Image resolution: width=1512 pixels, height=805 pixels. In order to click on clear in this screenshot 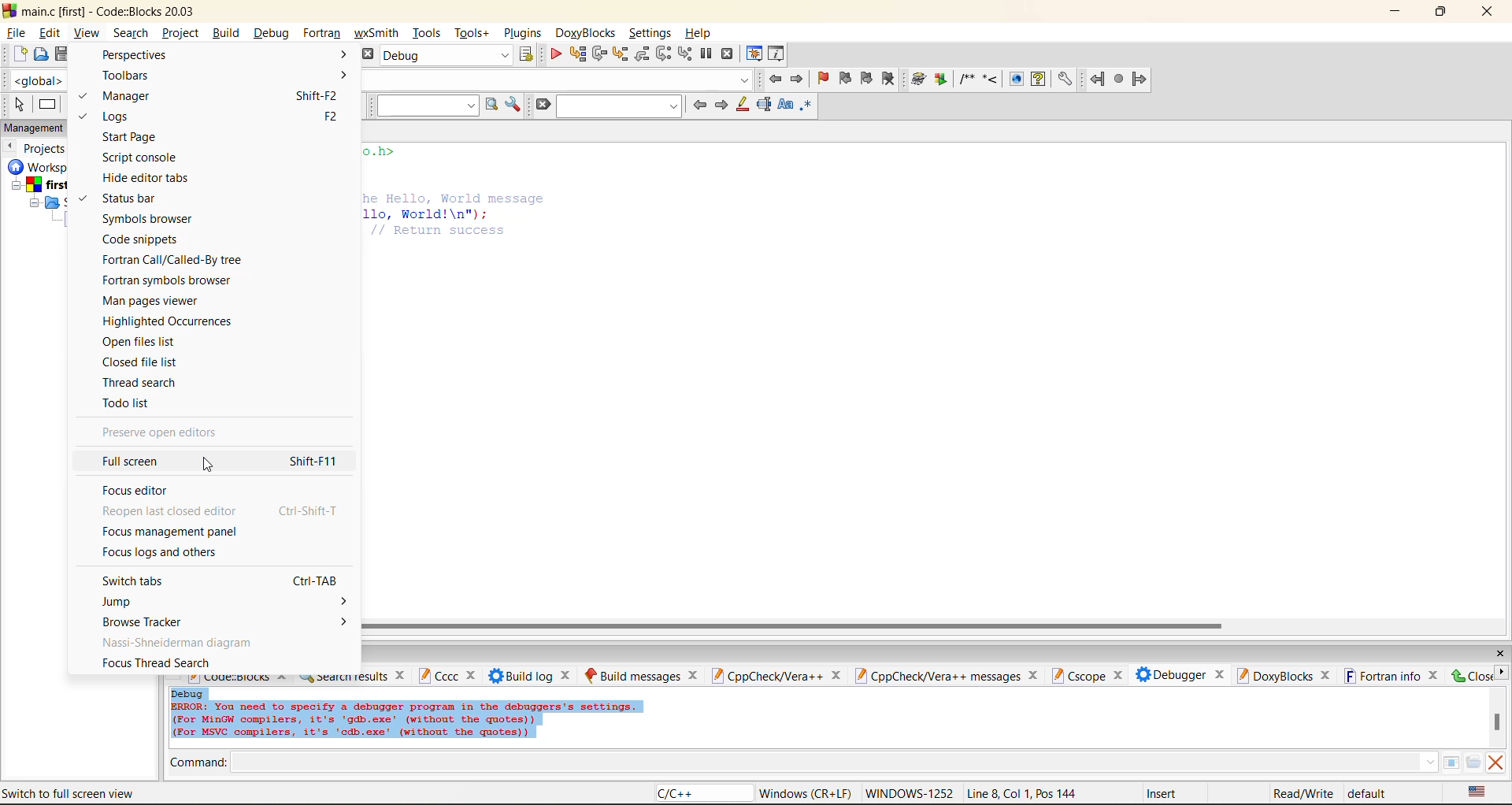, I will do `click(542, 102)`.